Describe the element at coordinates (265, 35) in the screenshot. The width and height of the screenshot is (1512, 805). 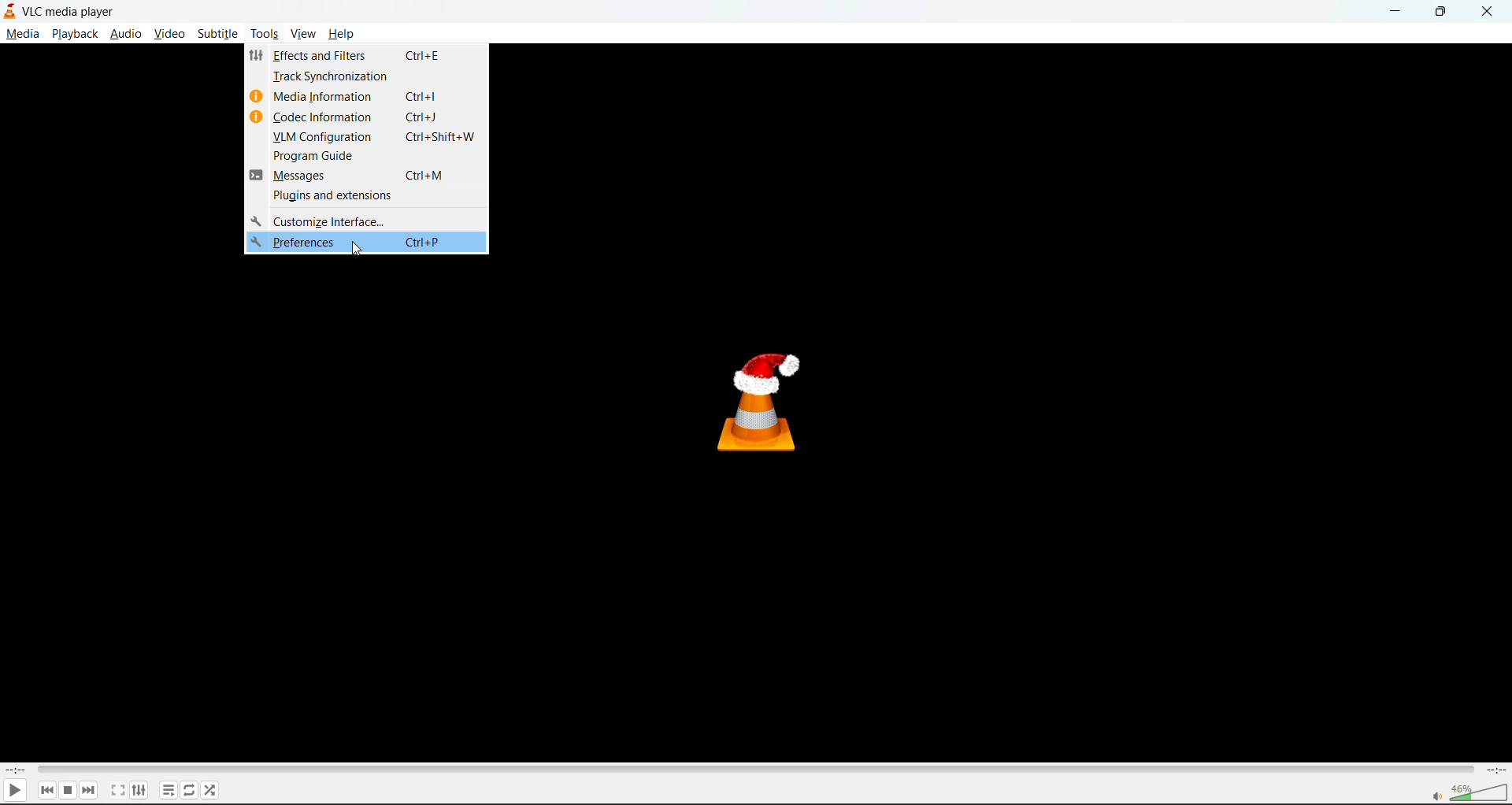
I see `tools` at that location.